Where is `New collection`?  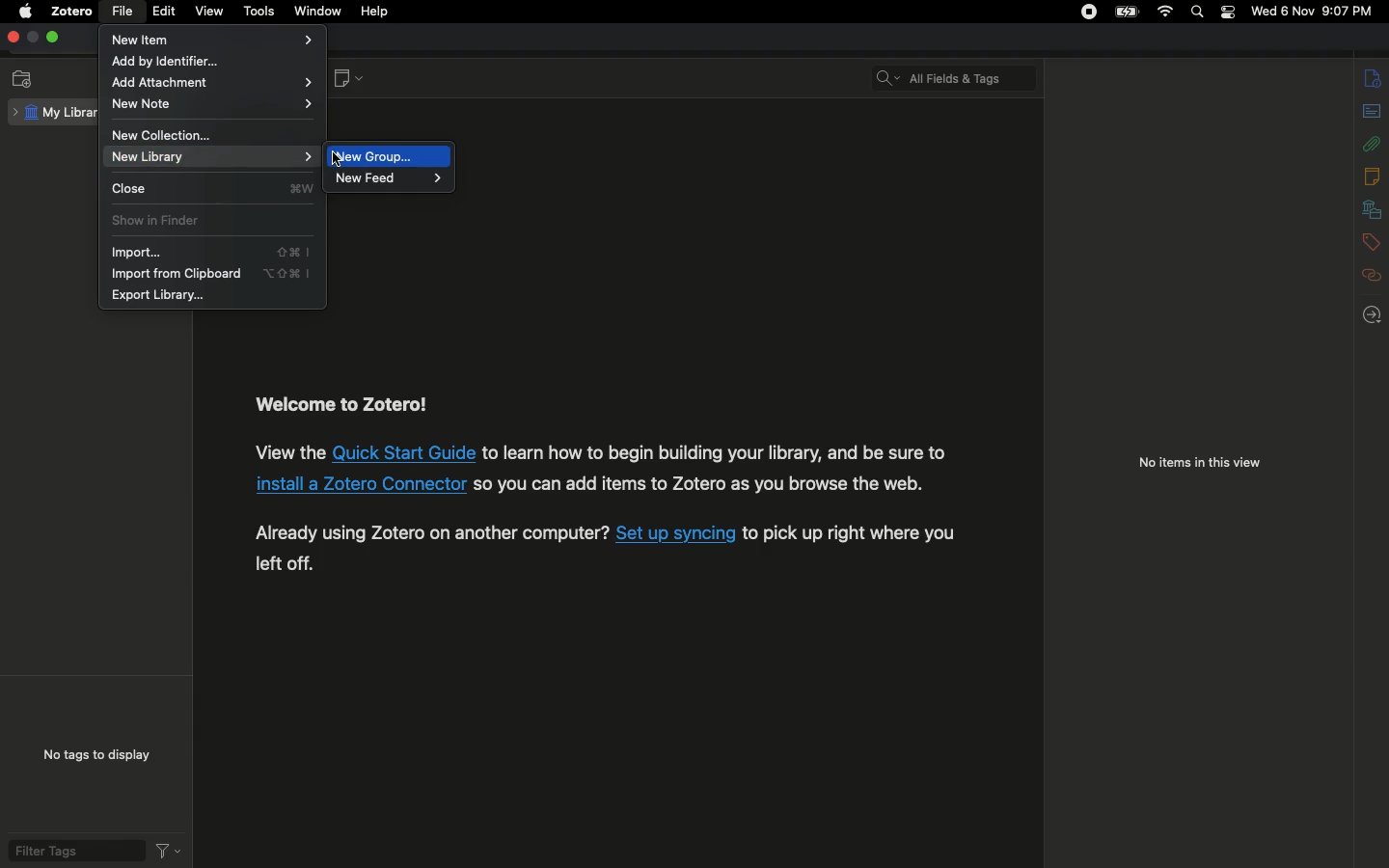 New collection is located at coordinates (23, 79).